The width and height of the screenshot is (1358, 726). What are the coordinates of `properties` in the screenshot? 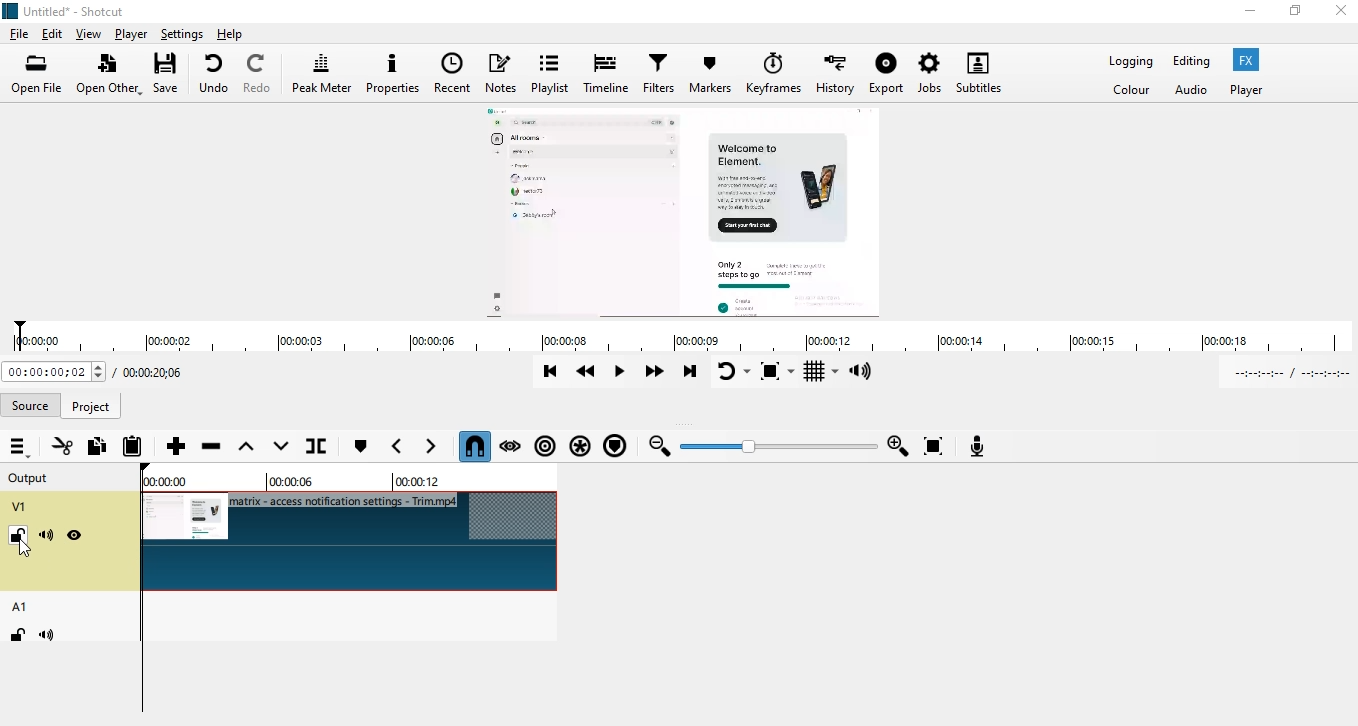 It's located at (394, 72).